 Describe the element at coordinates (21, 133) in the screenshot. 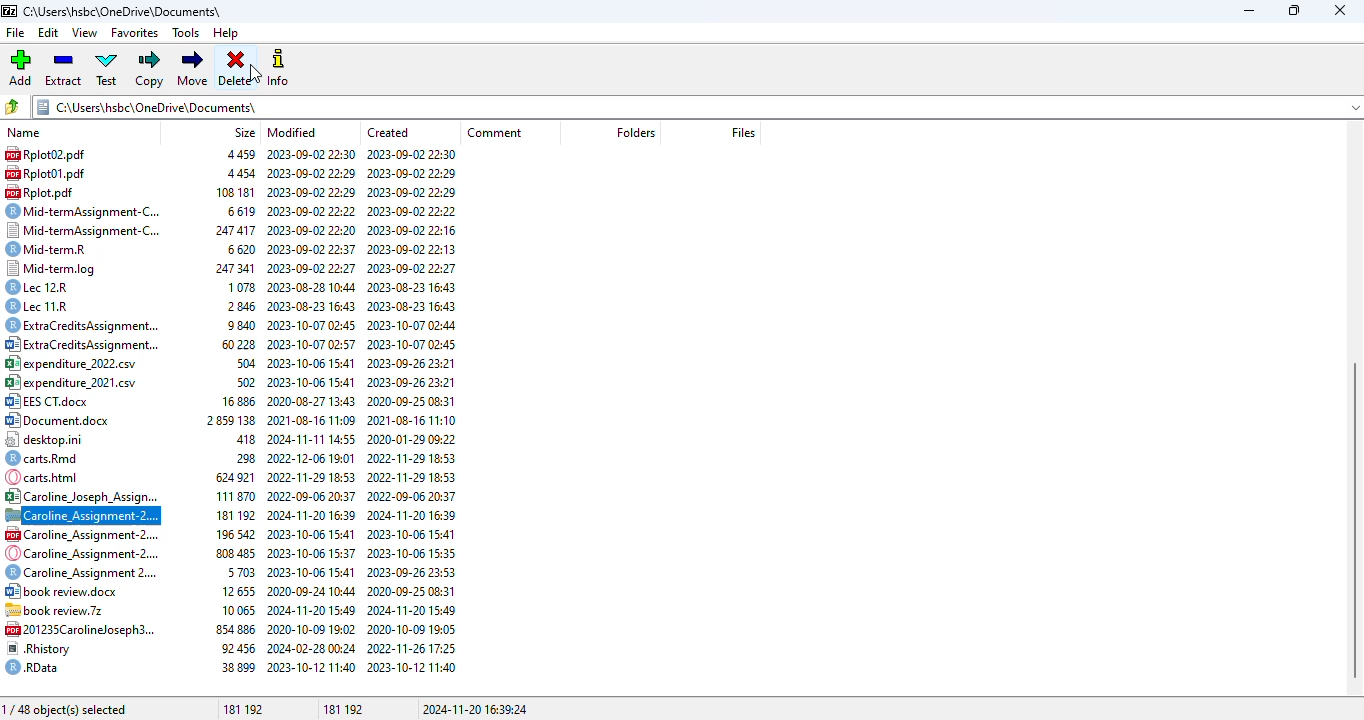

I see `name` at that location.